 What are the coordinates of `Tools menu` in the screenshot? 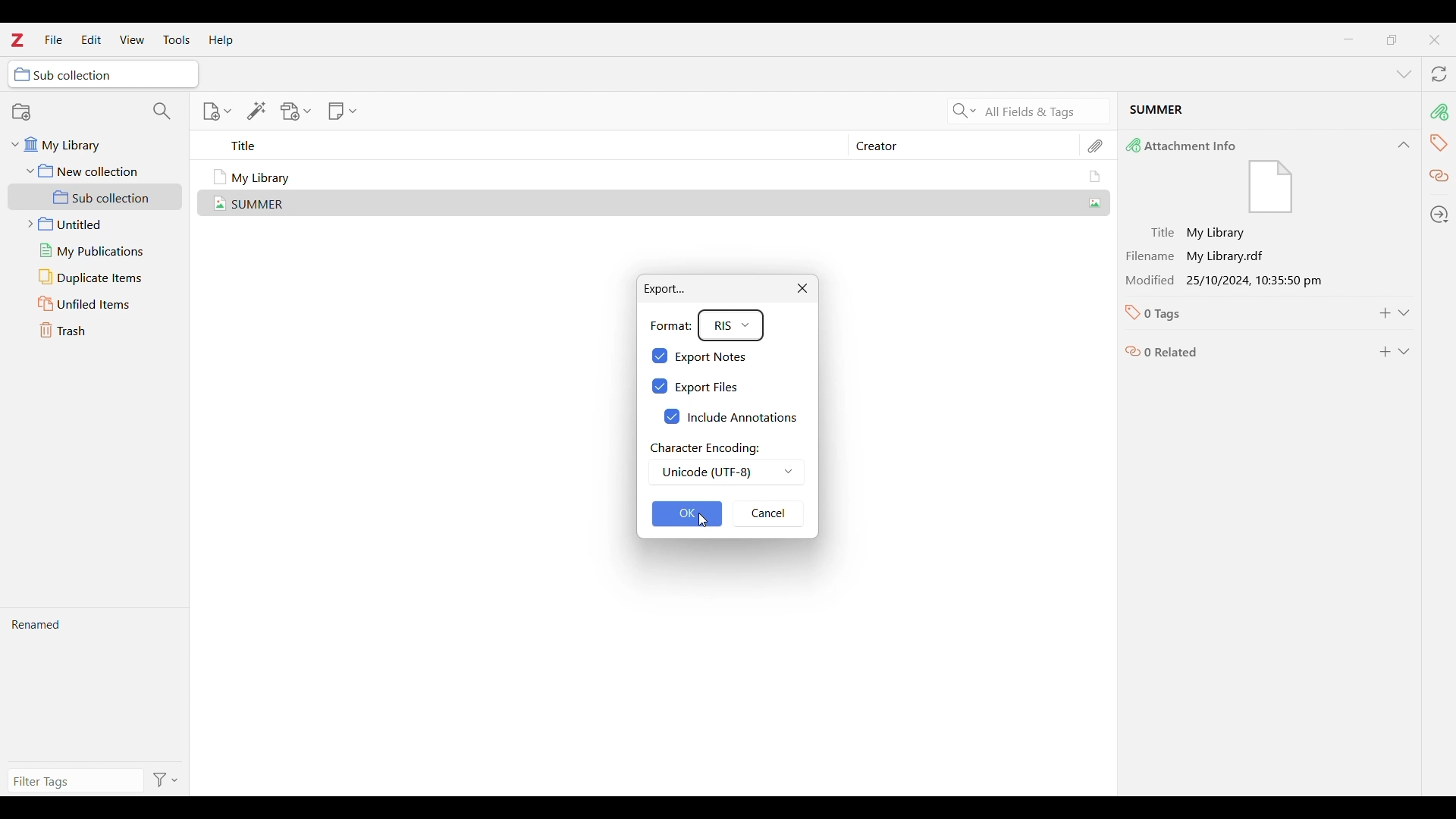 It's located at (177, 39).